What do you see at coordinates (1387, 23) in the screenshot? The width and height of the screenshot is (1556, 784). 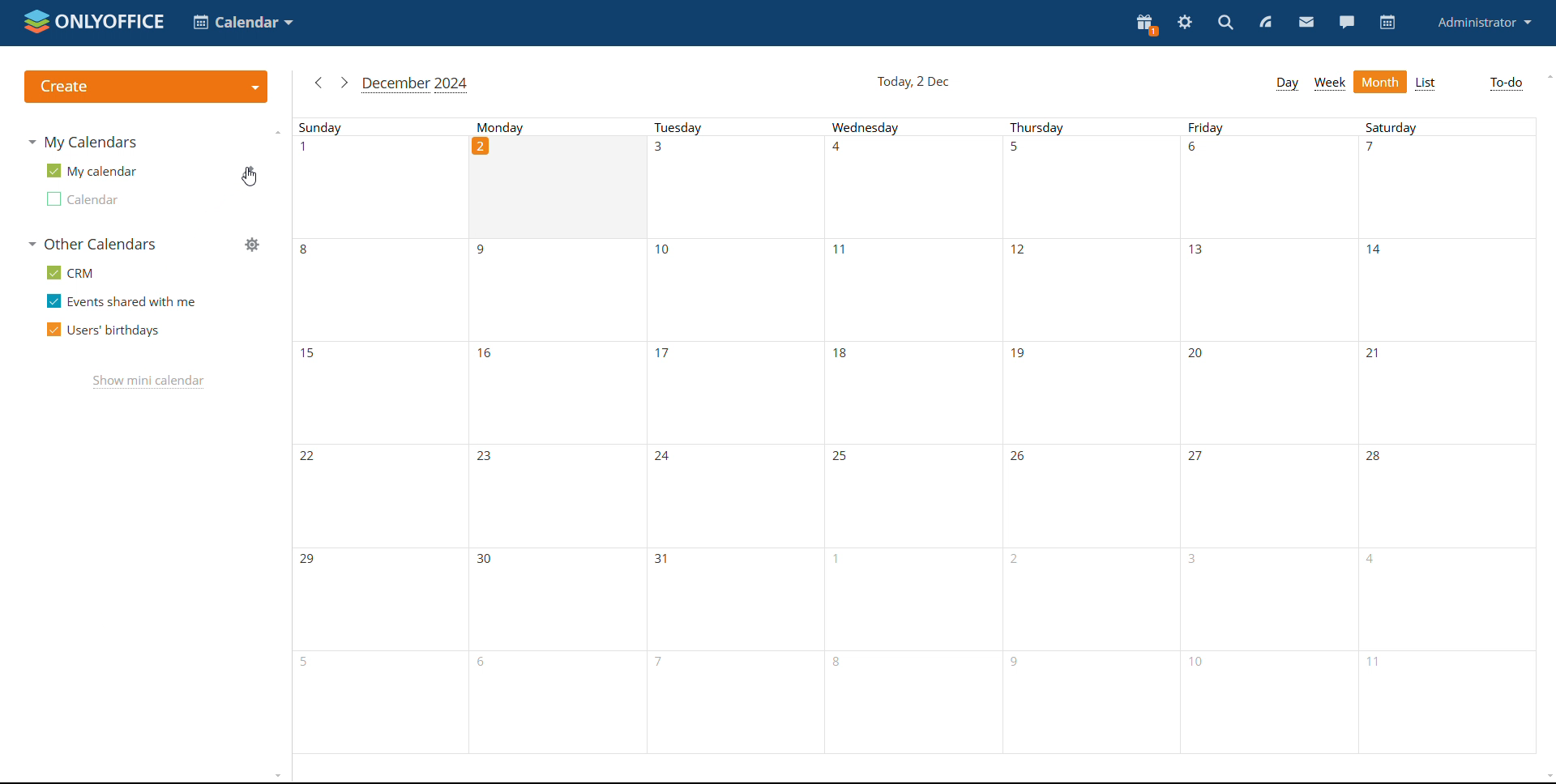 I see `calendar` at bounding box center [1387, 23].